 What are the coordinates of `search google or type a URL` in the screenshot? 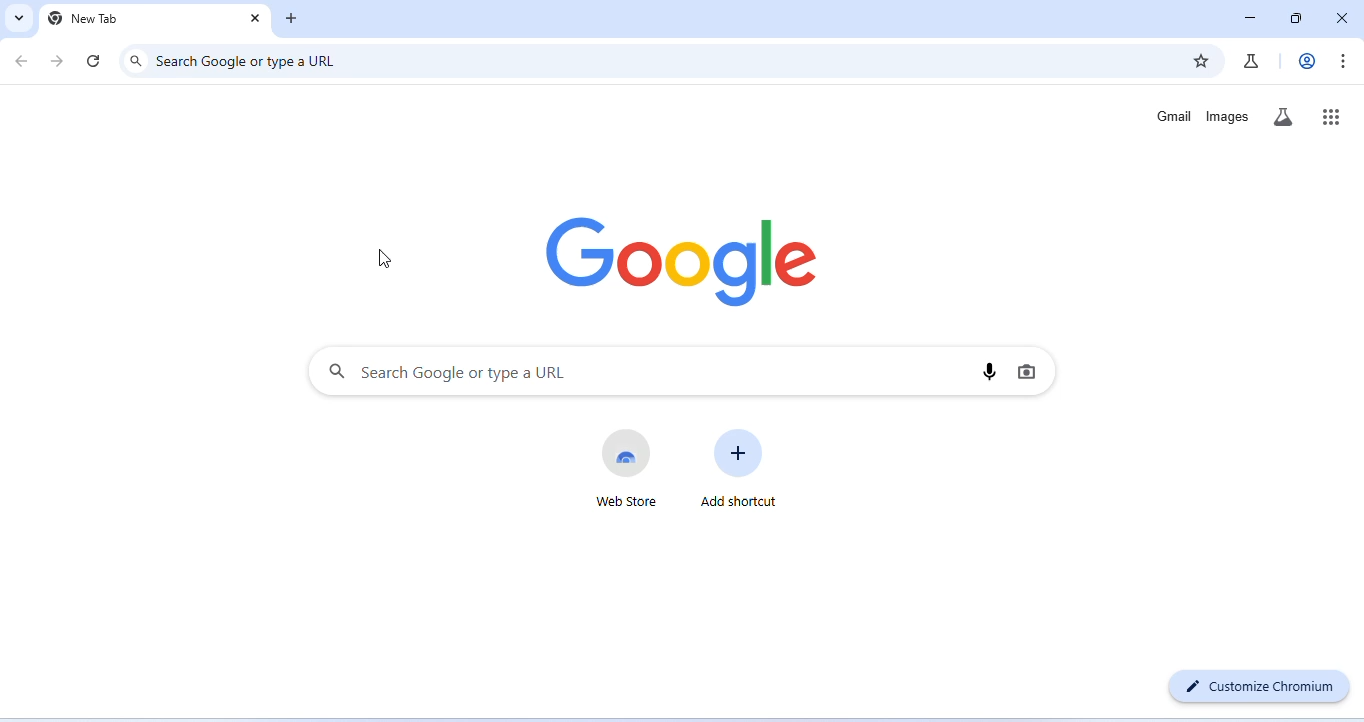 It's located at (451, 372).